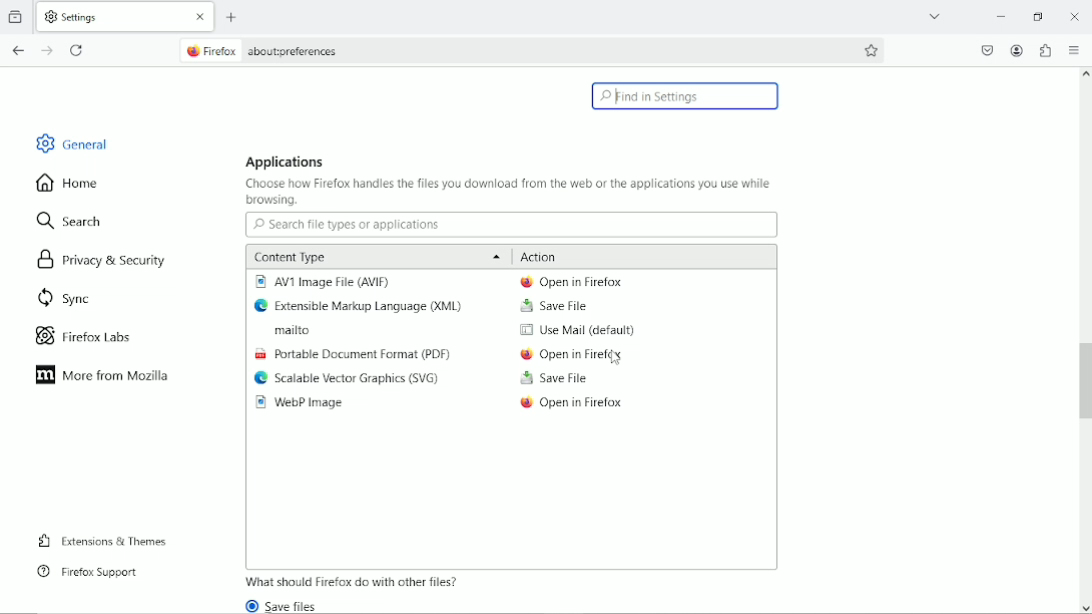  Describe the element at coordinates (1041, 17) in the screenshot. I see `Restore down` at that location.